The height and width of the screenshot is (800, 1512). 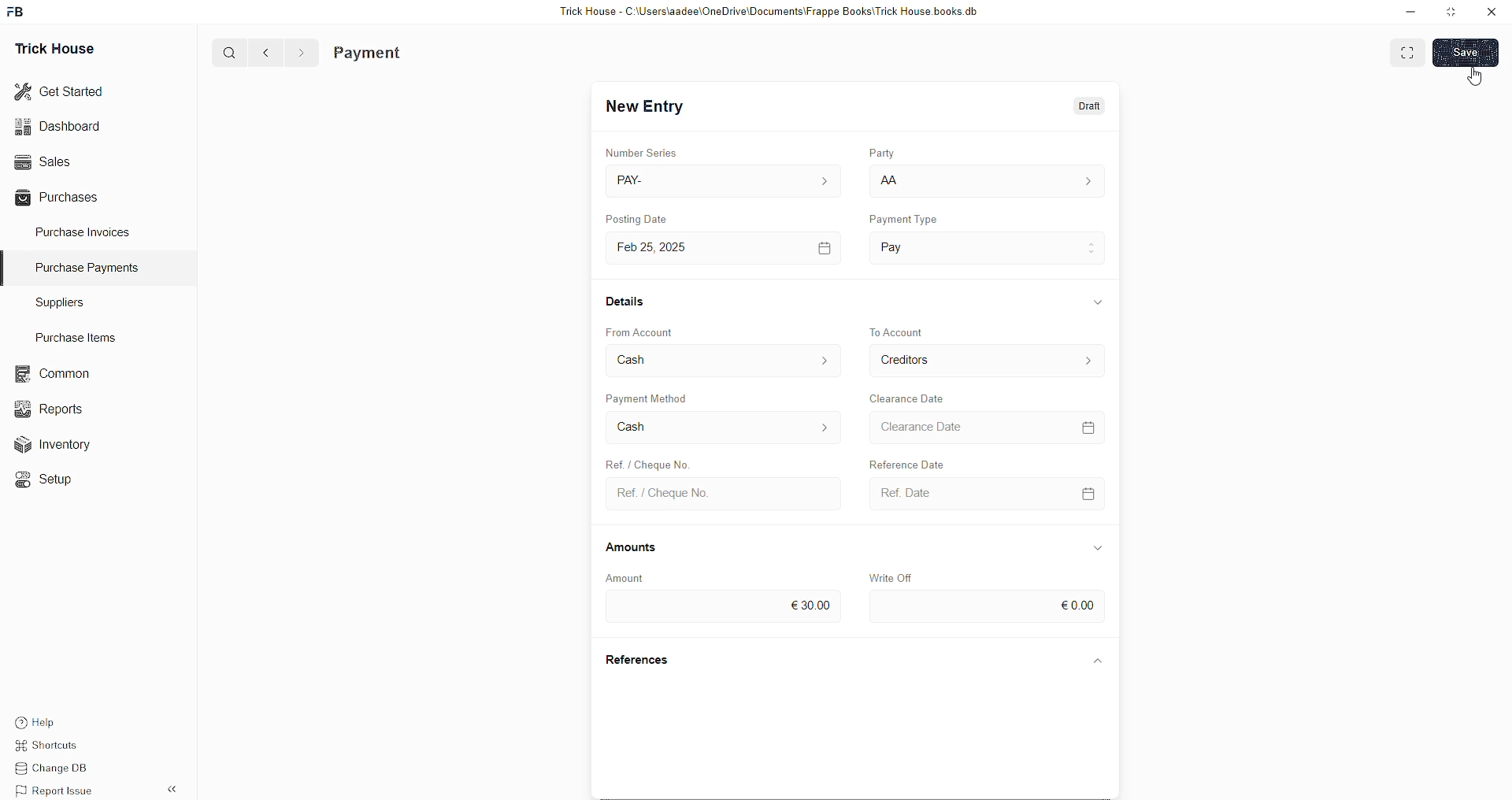 I want to click on €30.00, so click(x=814, y=602).